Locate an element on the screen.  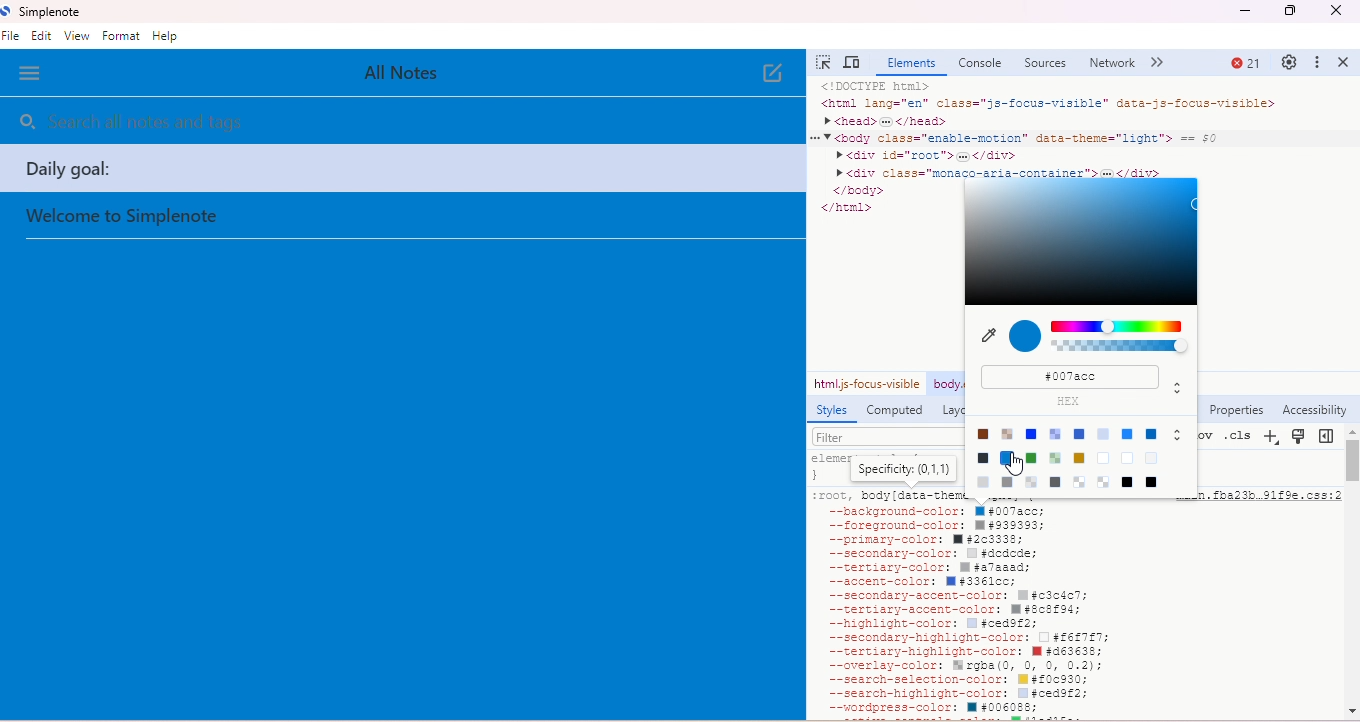
new style rule is located at coordinates (1272, 439).